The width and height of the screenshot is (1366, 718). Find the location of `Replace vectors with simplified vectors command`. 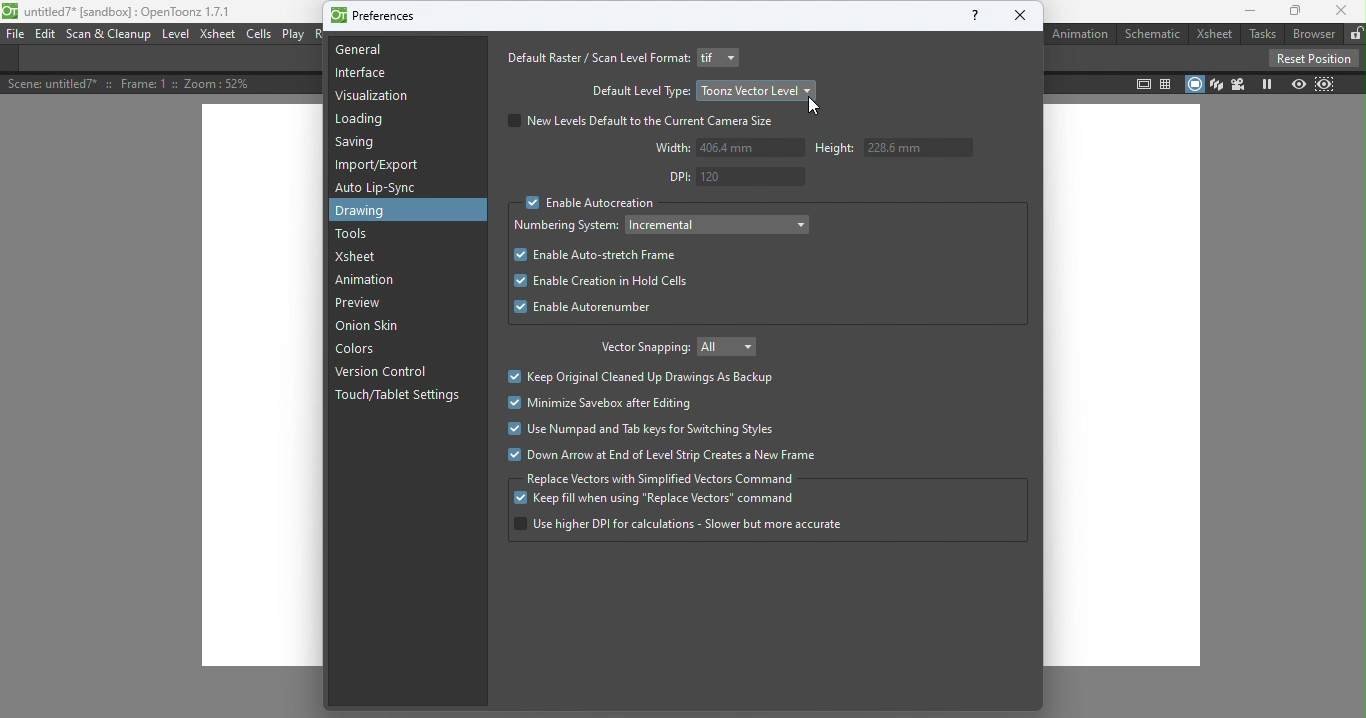

Replace vectors with simplified vectors command is located at coordinates (662, 478).